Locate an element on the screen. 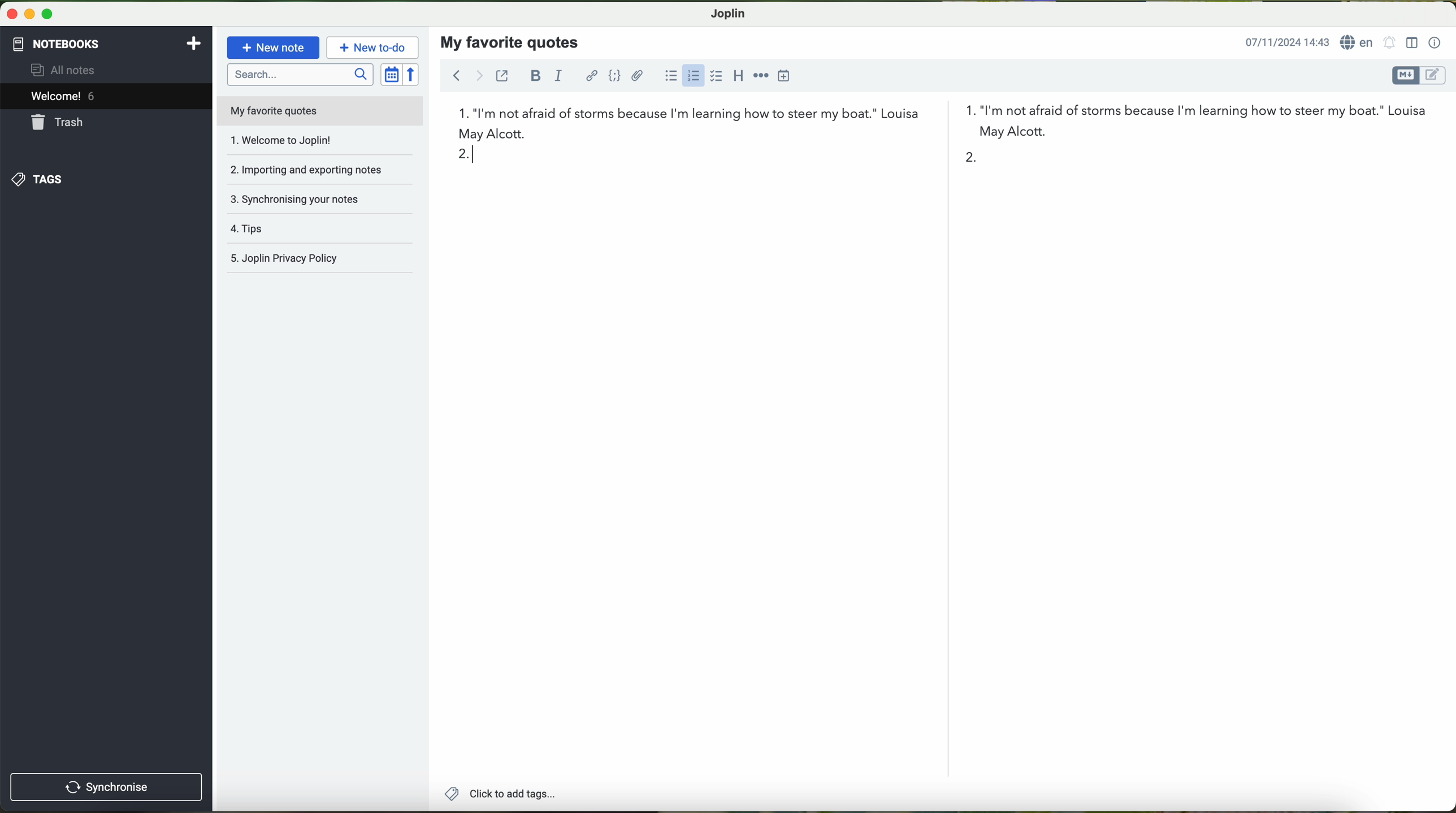  synchronise button is located at coordinates (107, 788).